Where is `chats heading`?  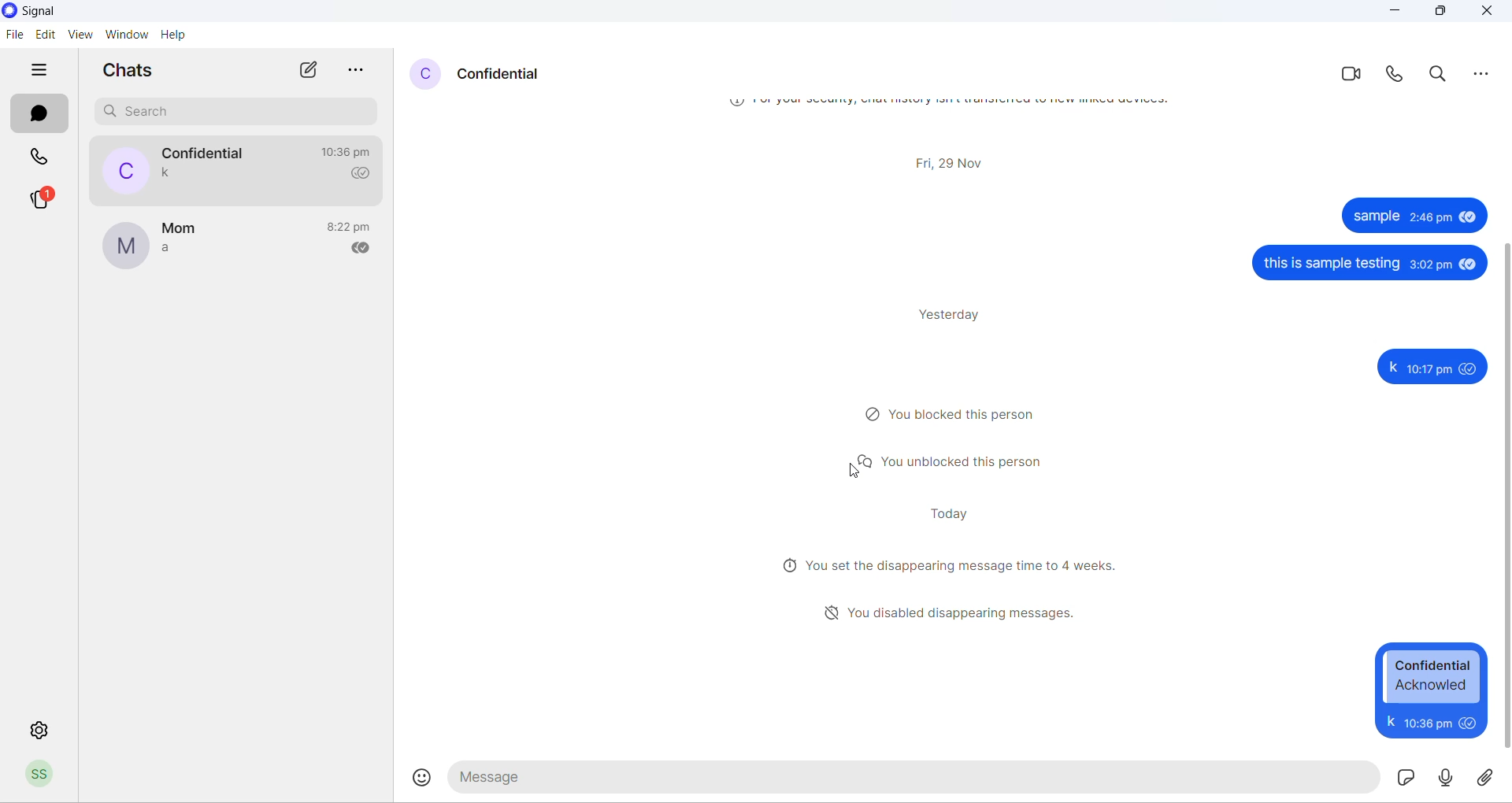 chats heading is located at coordinates (135, 73).